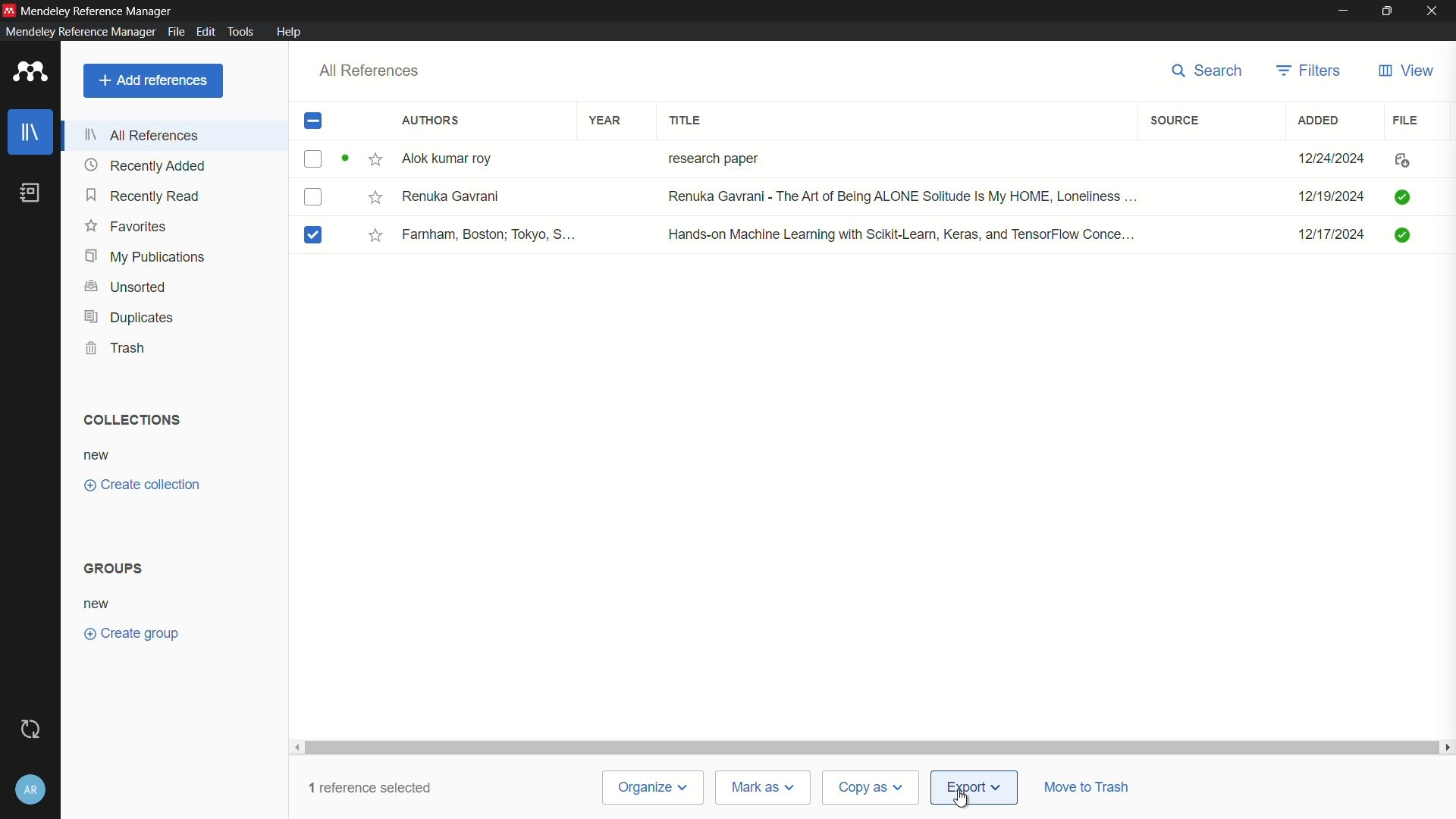 Image resolution: width=1456 pixels, height=819 pixels. I want to click on create collection, so click(140, 485).